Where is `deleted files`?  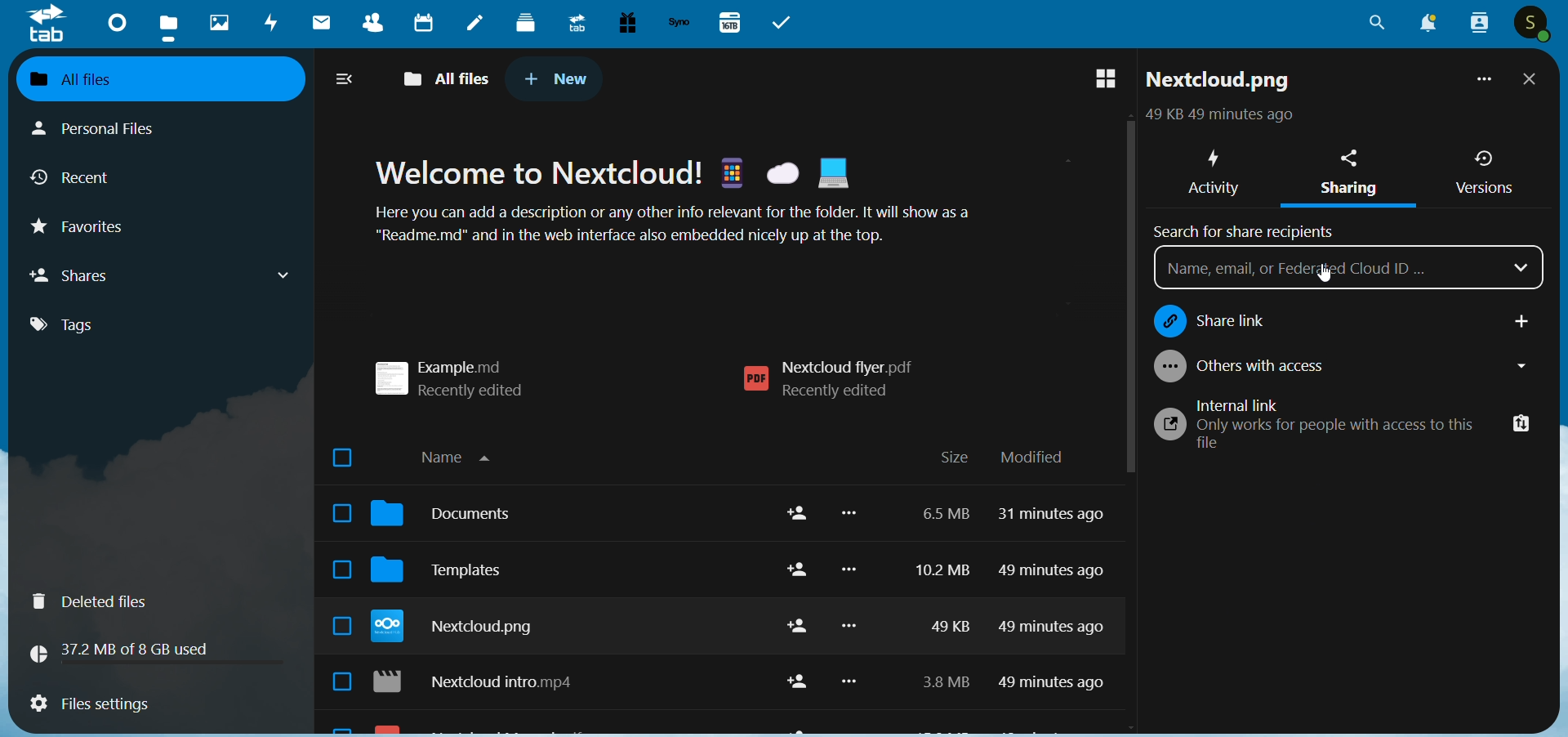 deleted files is located at coordinates (100, 601).